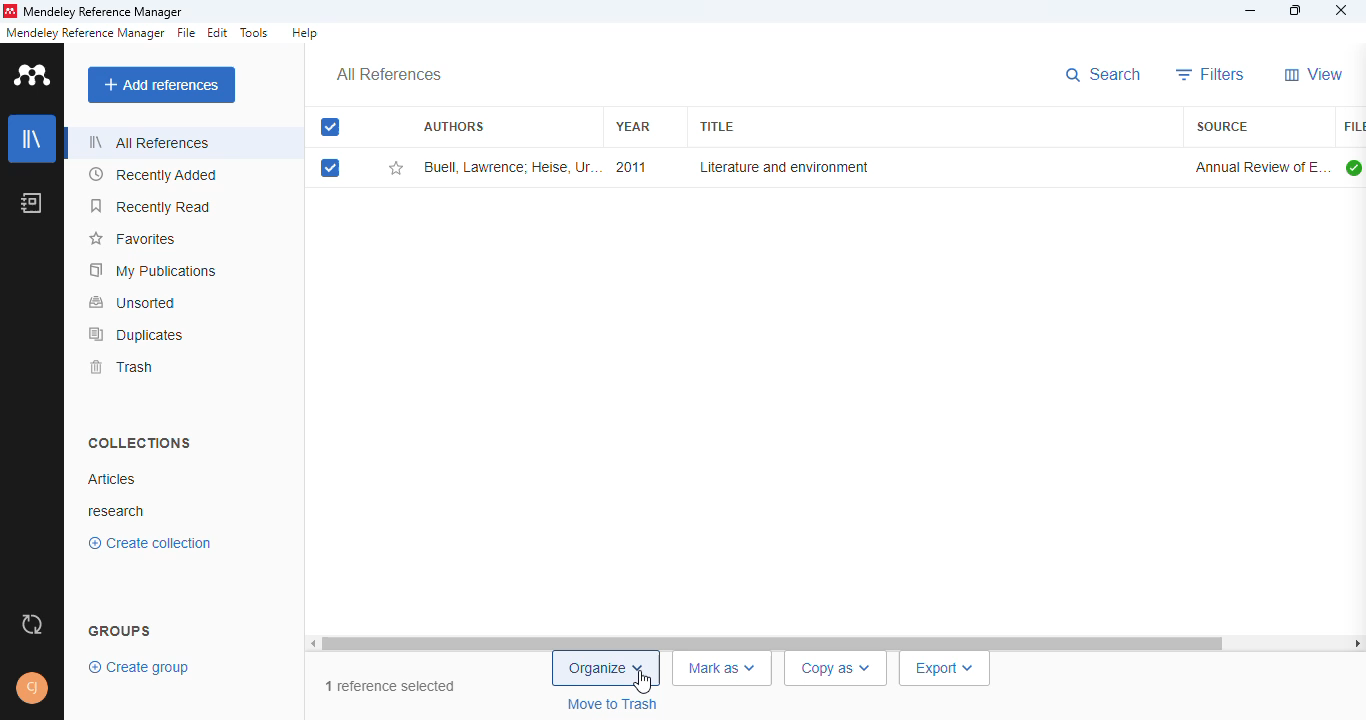  What do you see at coordinates (30, 627) in the screenshot?
I see `sync` at bounding box center [30, 627].